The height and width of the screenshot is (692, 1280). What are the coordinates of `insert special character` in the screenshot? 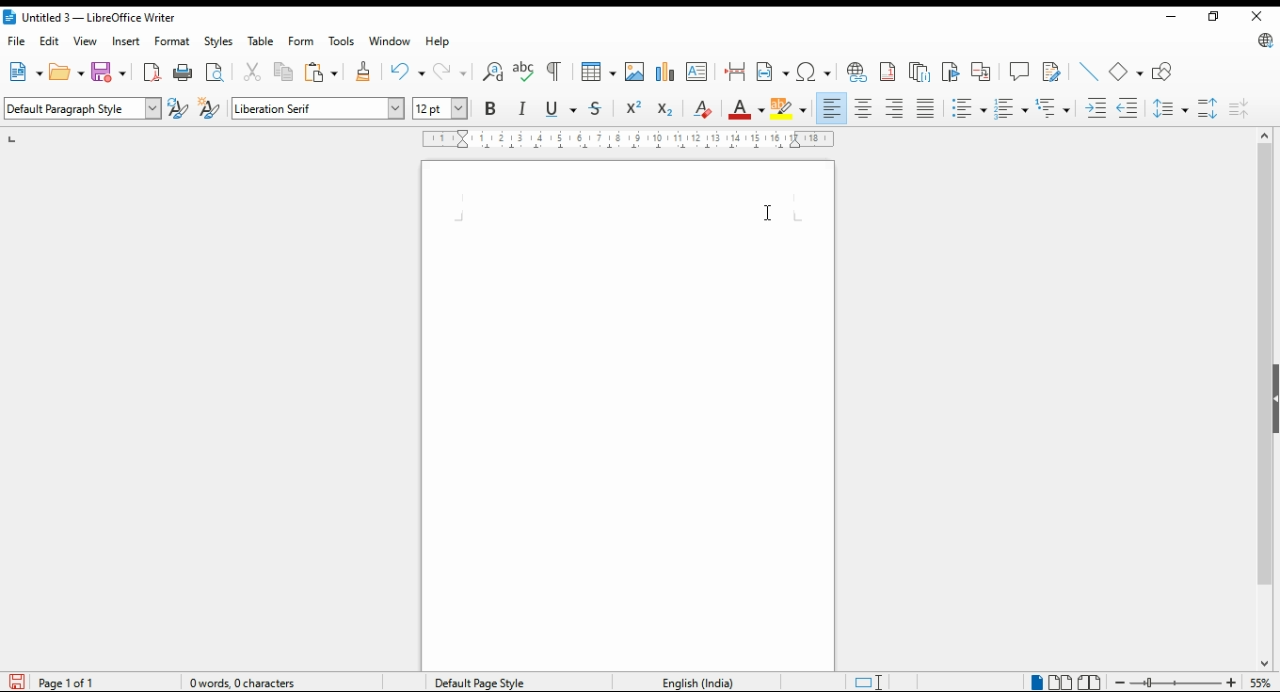 It's located at (813, 72).